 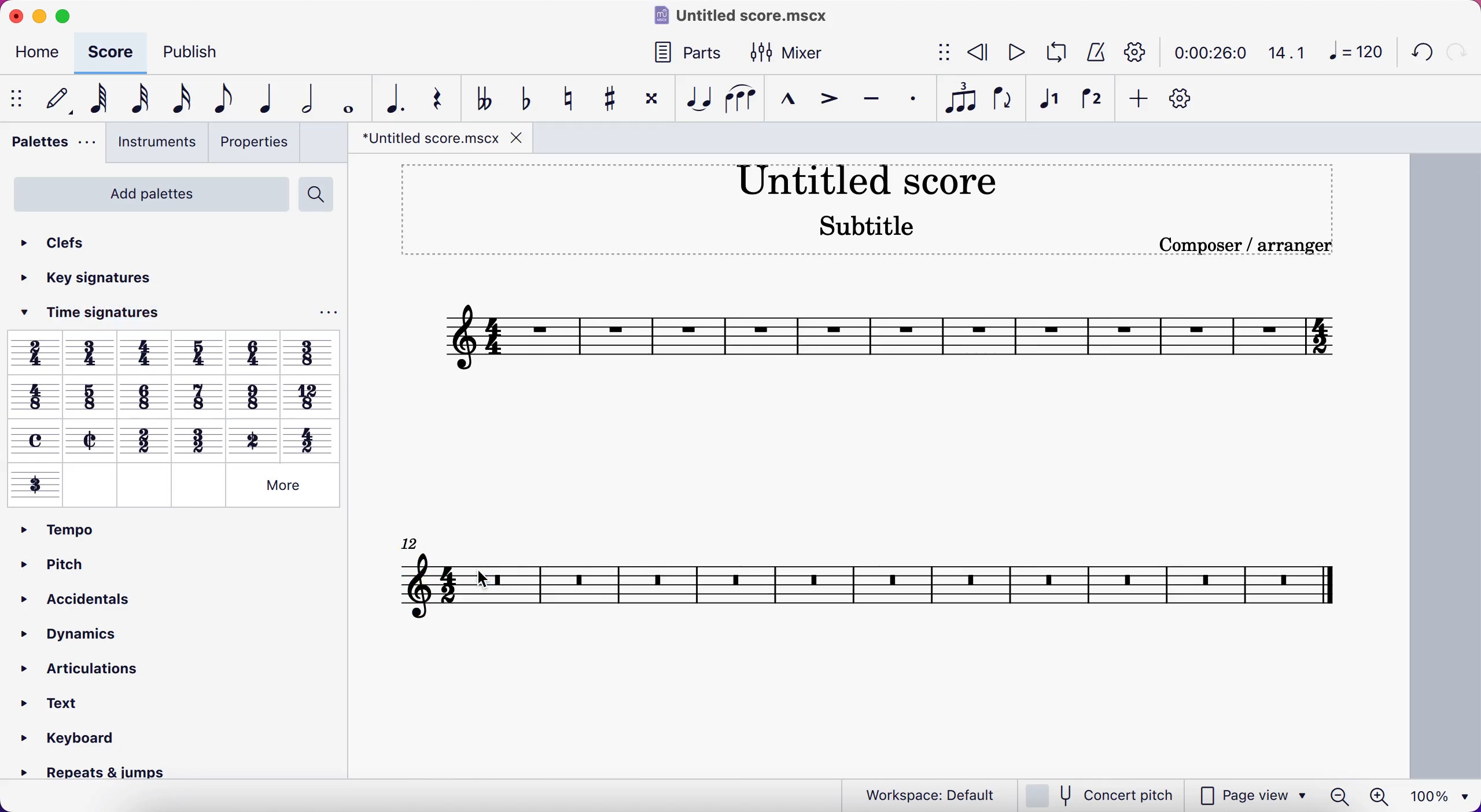 I want to click on , so click(x=143, y=394).